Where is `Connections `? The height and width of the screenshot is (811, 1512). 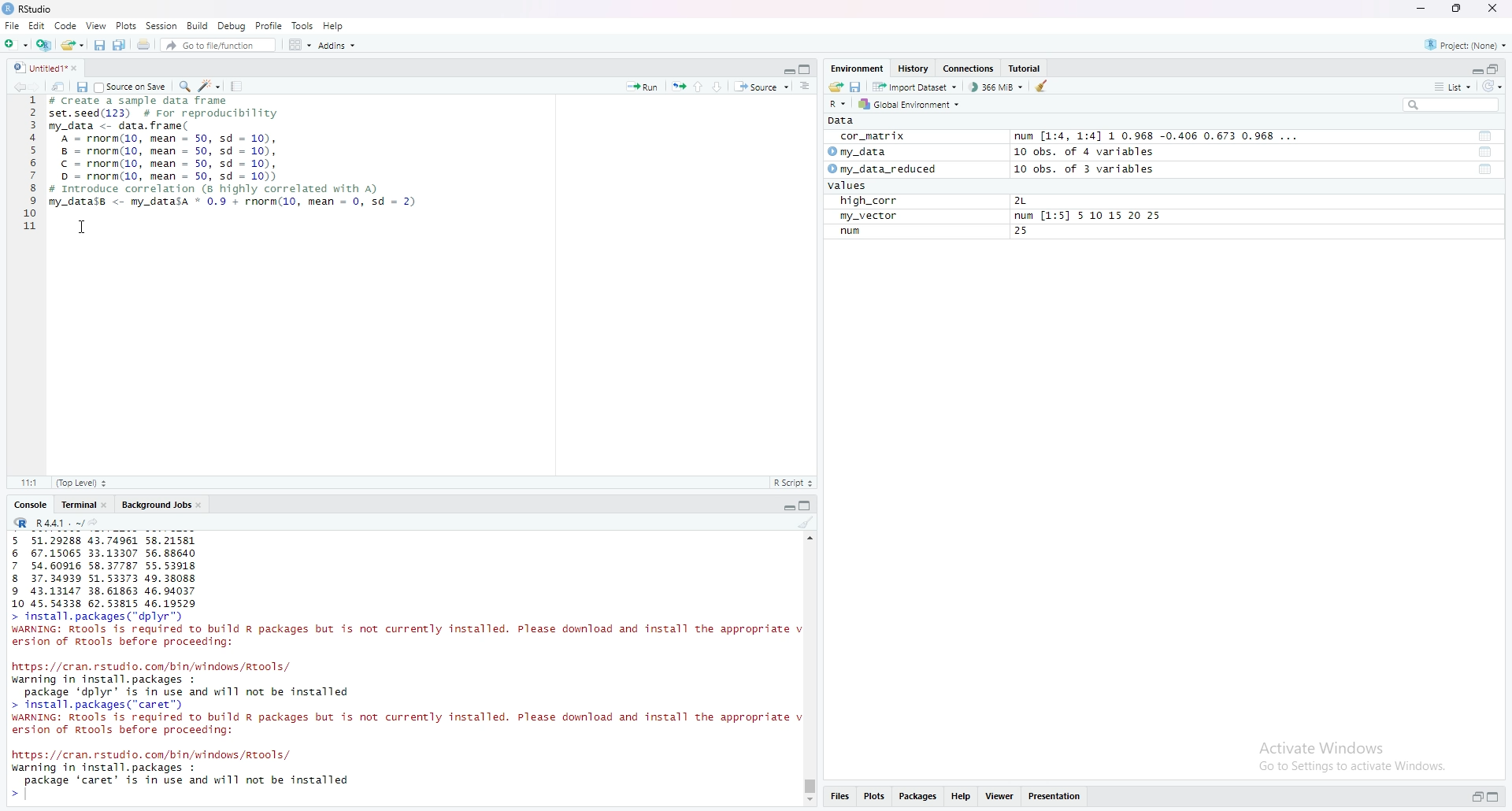
Connections  is located at coordinates (970, 68).